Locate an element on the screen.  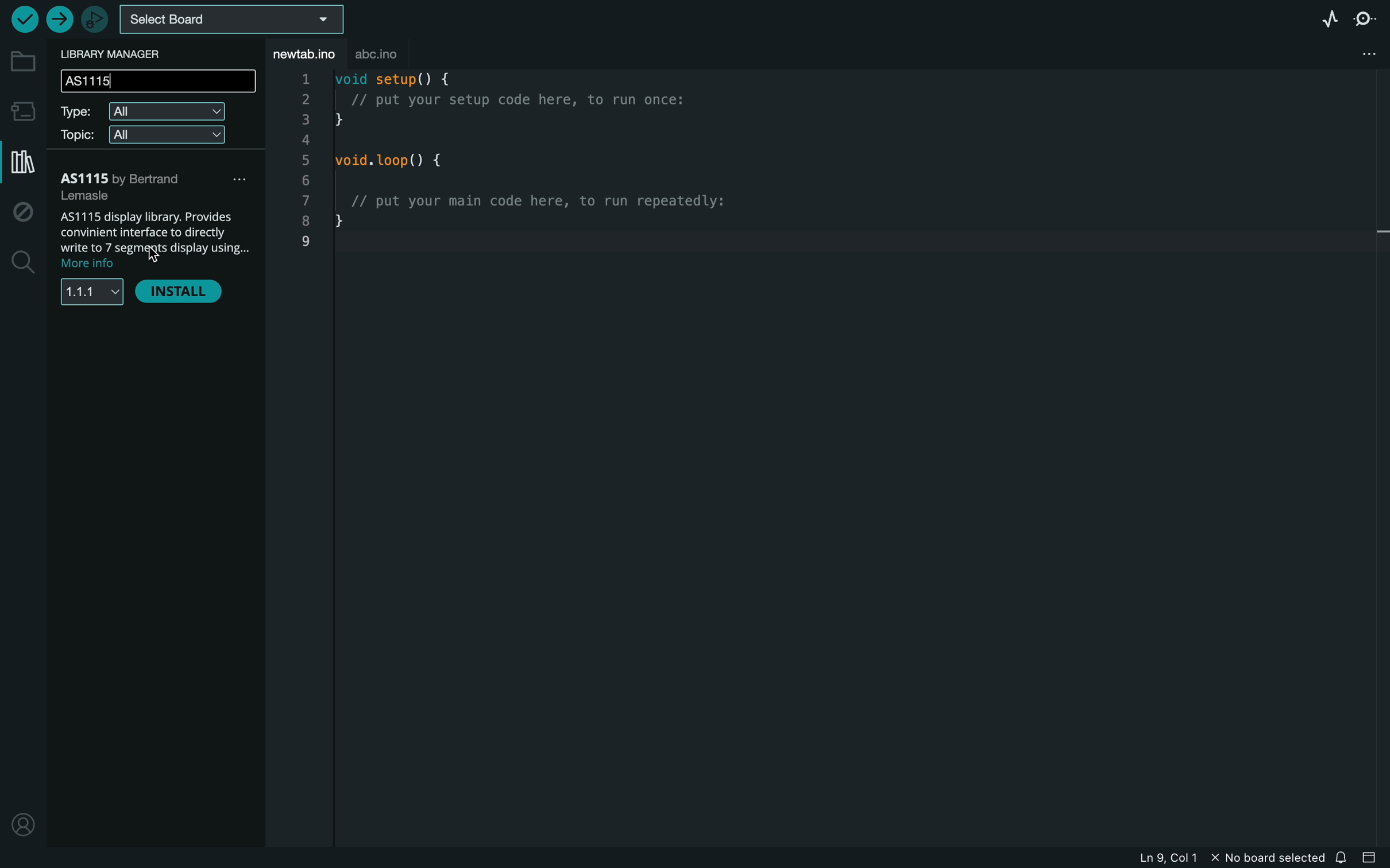
topic filter is located at coordinates (145, 137).